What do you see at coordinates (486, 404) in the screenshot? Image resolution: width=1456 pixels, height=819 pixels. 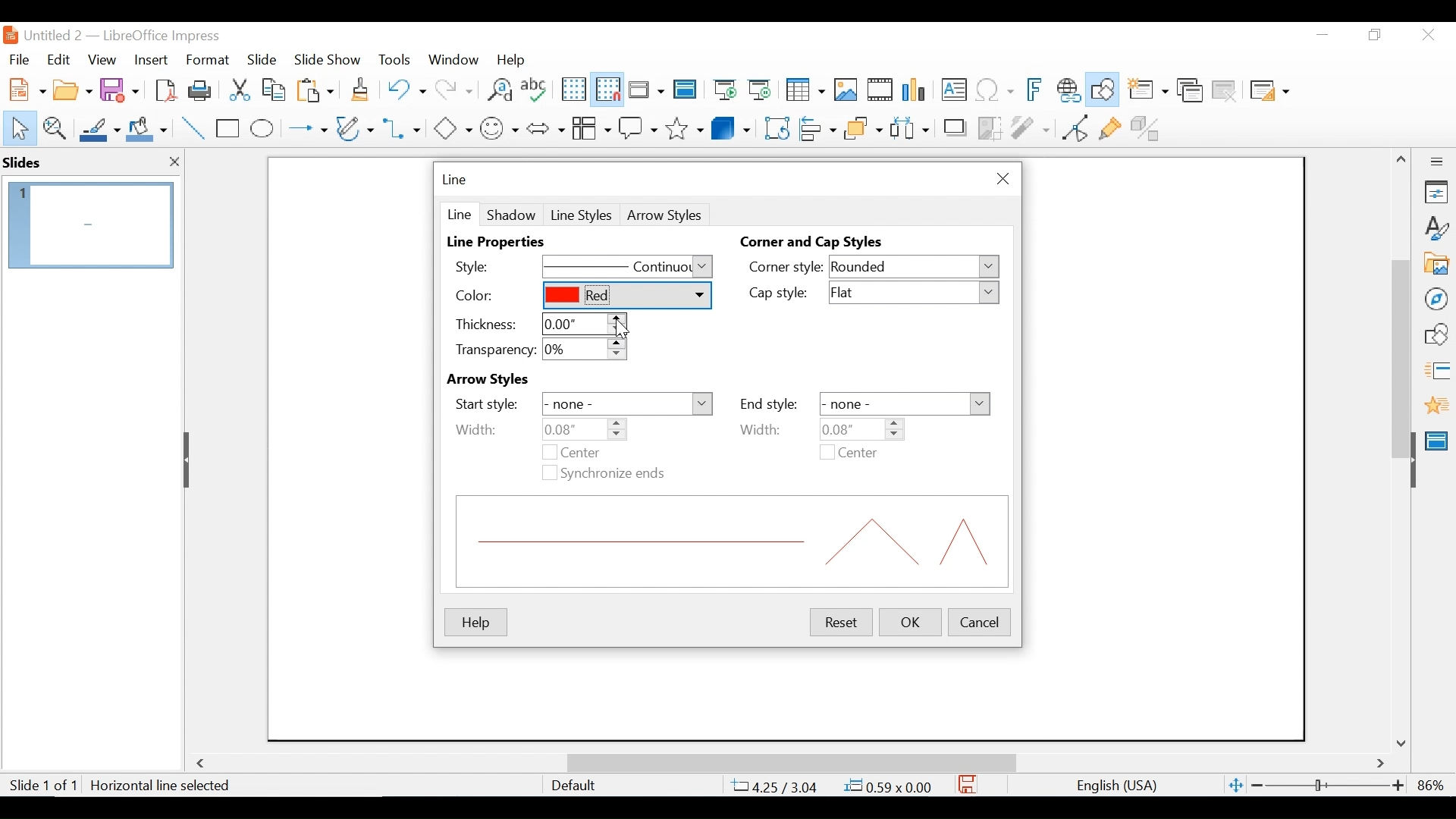 I see `Start Style` at bounding box center [486, 404].